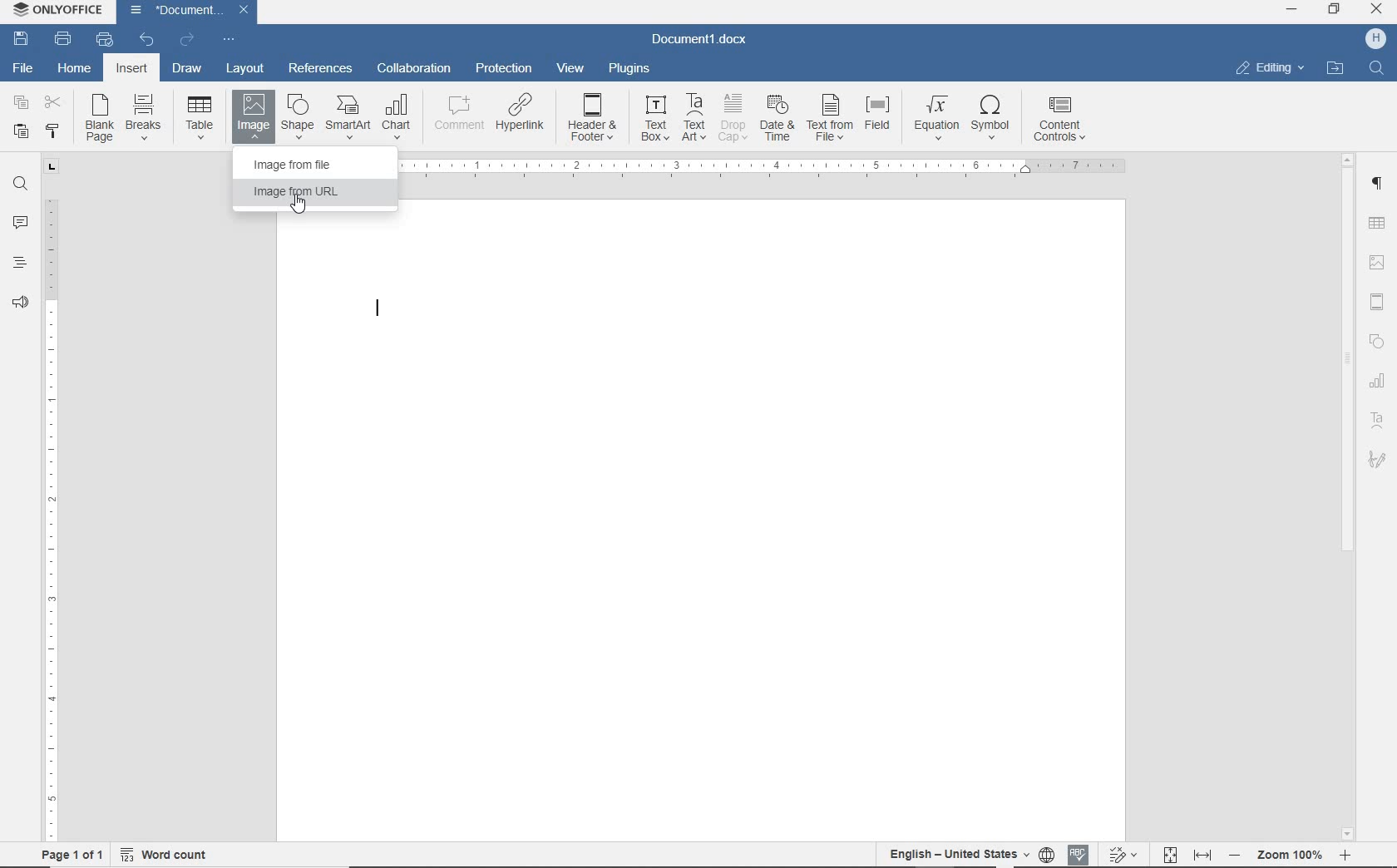 The image size is (1397, 868). What do you see at coordinates (1376, 38) in the screenshot?
I see `H (user account)` at bounding box center [1376, 38].